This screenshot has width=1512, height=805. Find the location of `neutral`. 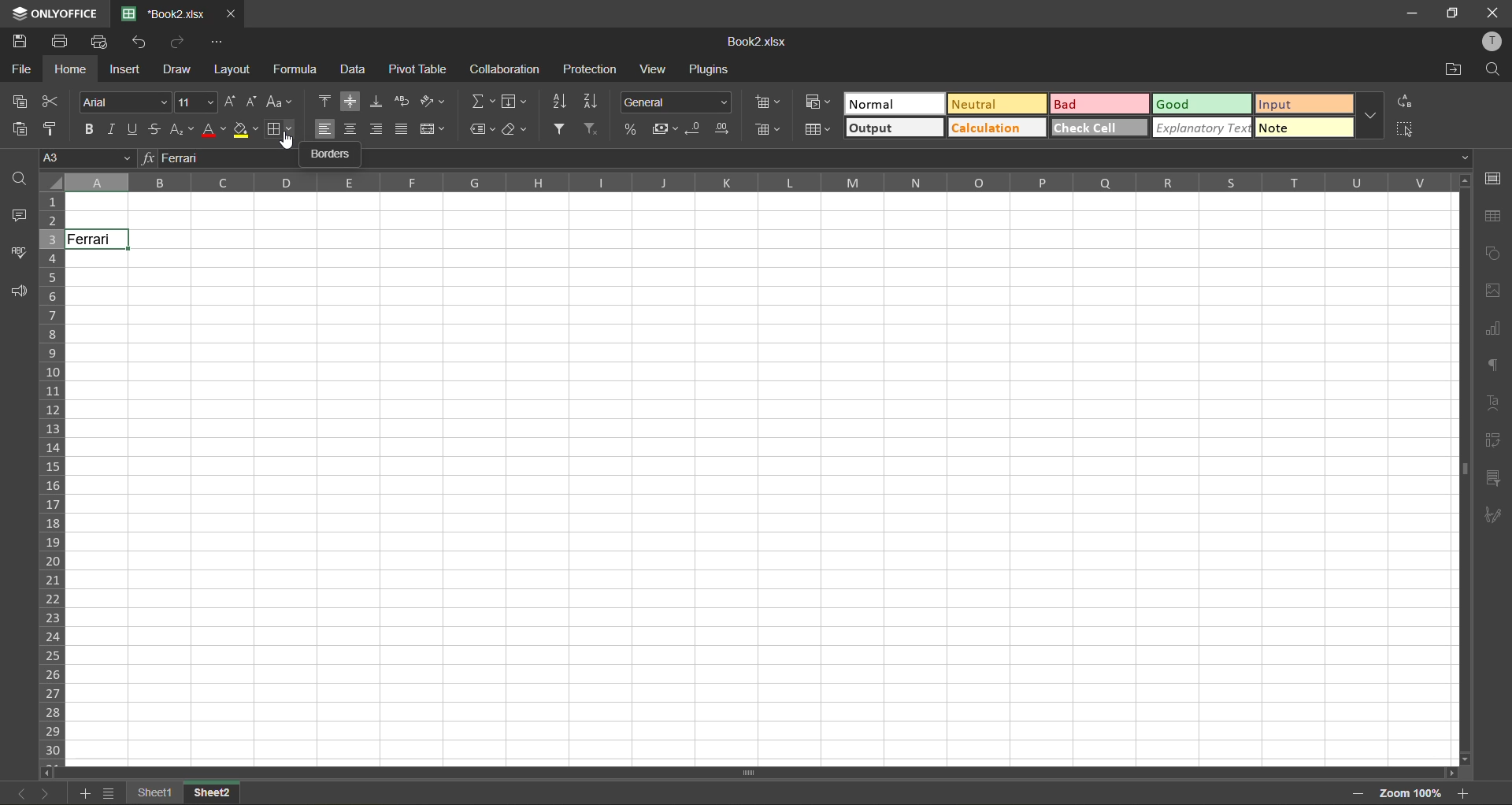

neutral is located at coordinates (996, 103).